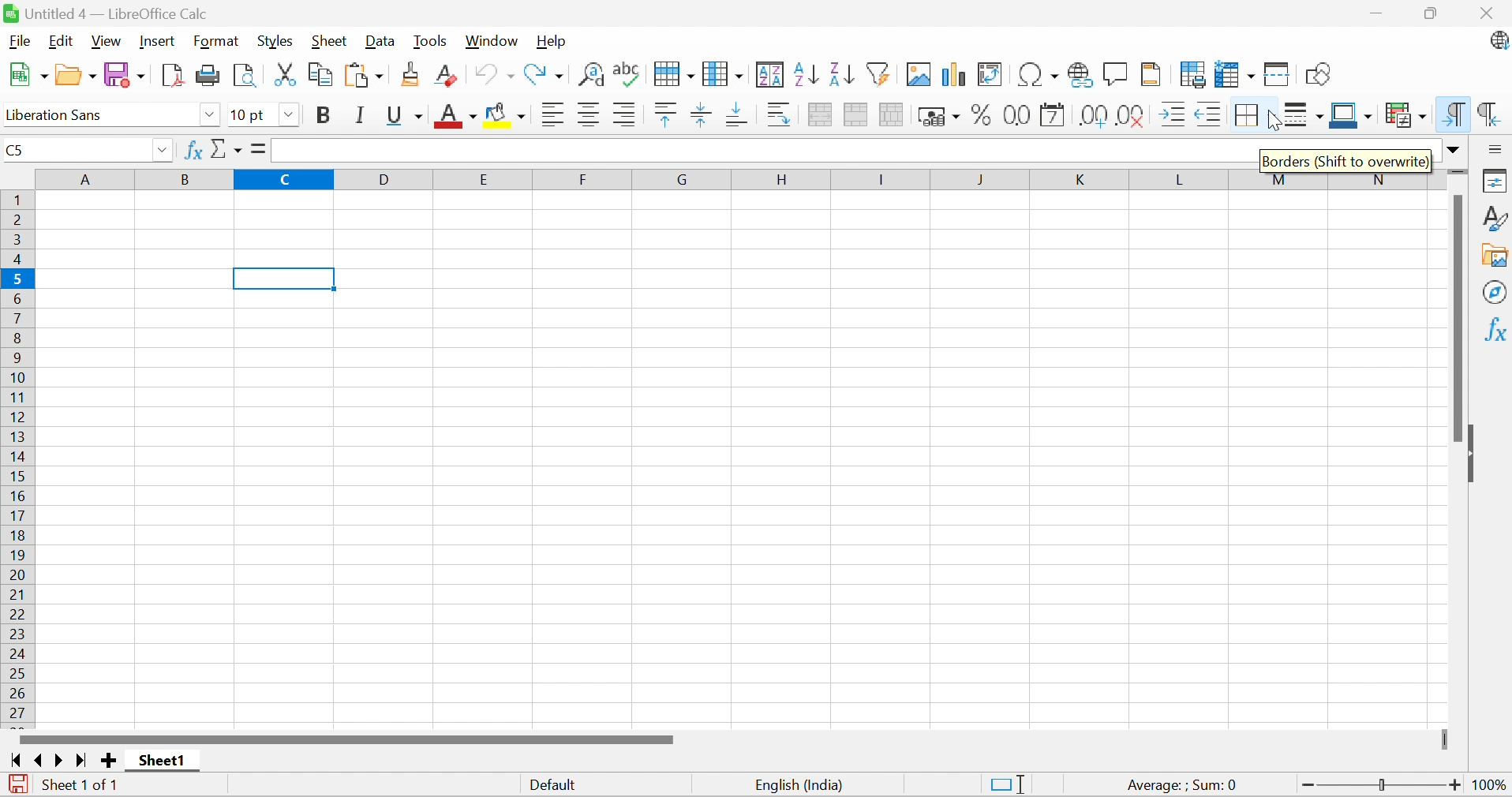 This screenshot has width=1512, height=797. What do you see at coordinates (430, 42) in the screenshot?
I see `Tools` at bounding box center [430, 42].